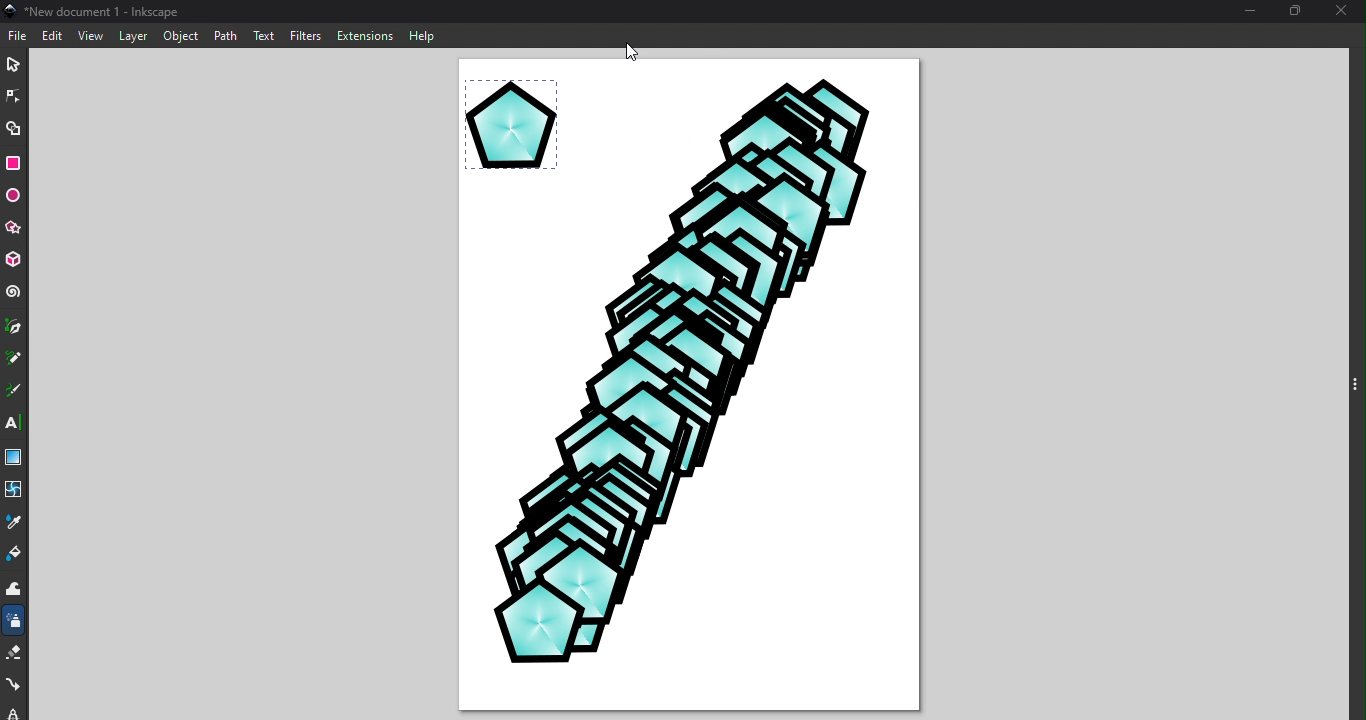 This screenshot has height=720, width=1366. I want to click on Mesh tool, so click(16, 489).